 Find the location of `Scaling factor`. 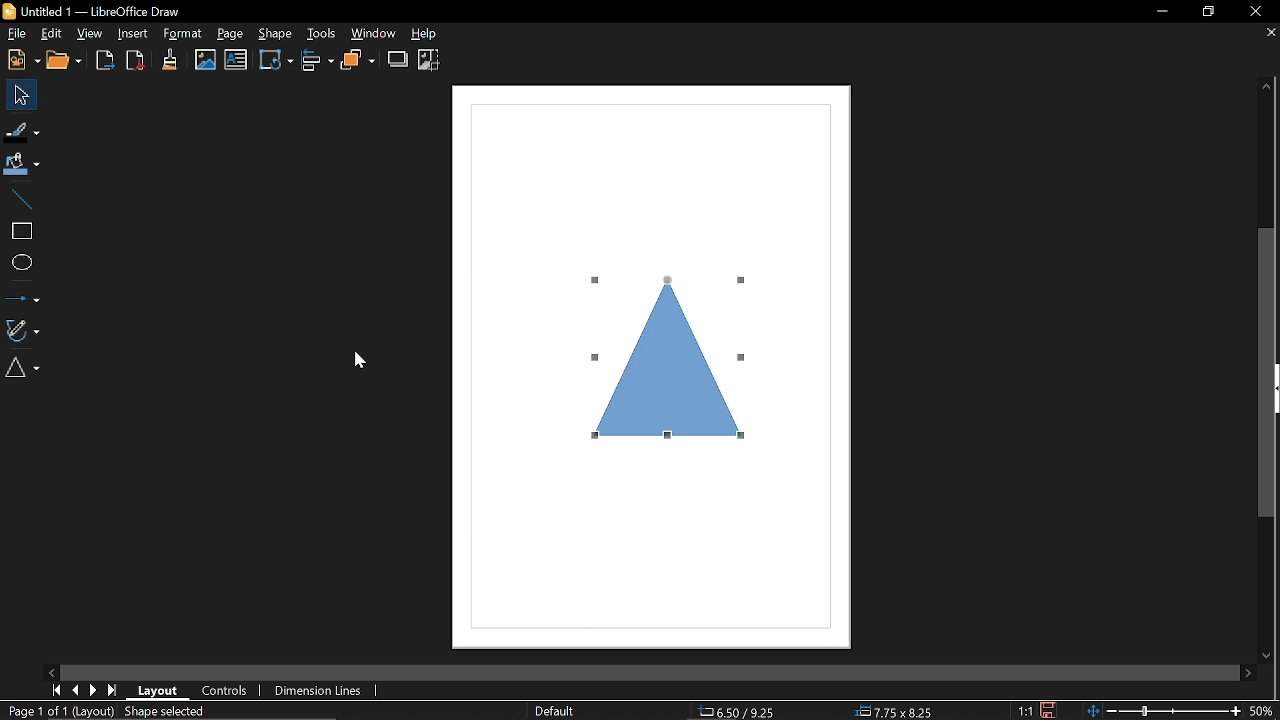

Scaling factor is located at coordinates (1024, 711).